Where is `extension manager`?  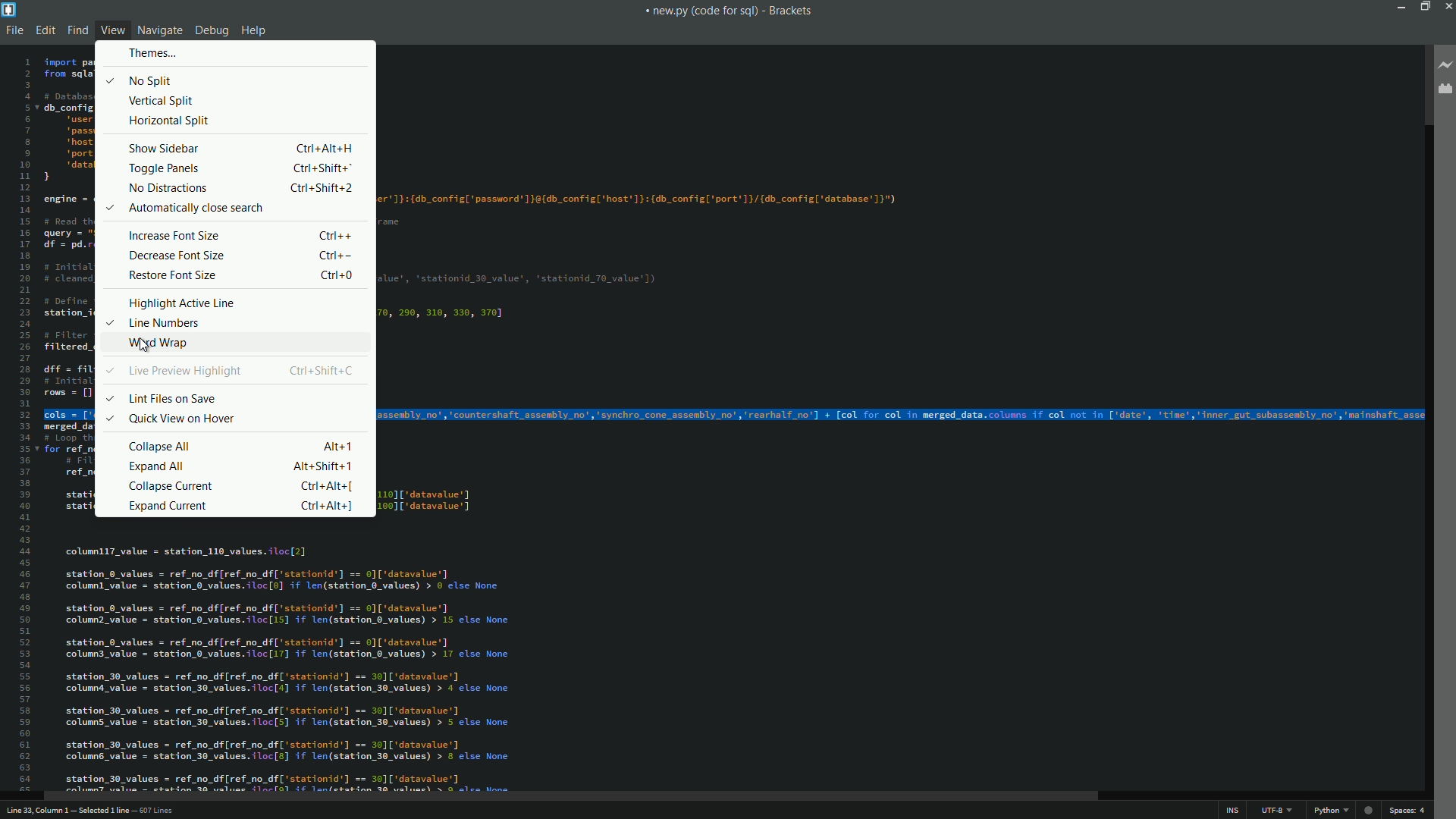 extension manager is located at coordinates (1444, 89).